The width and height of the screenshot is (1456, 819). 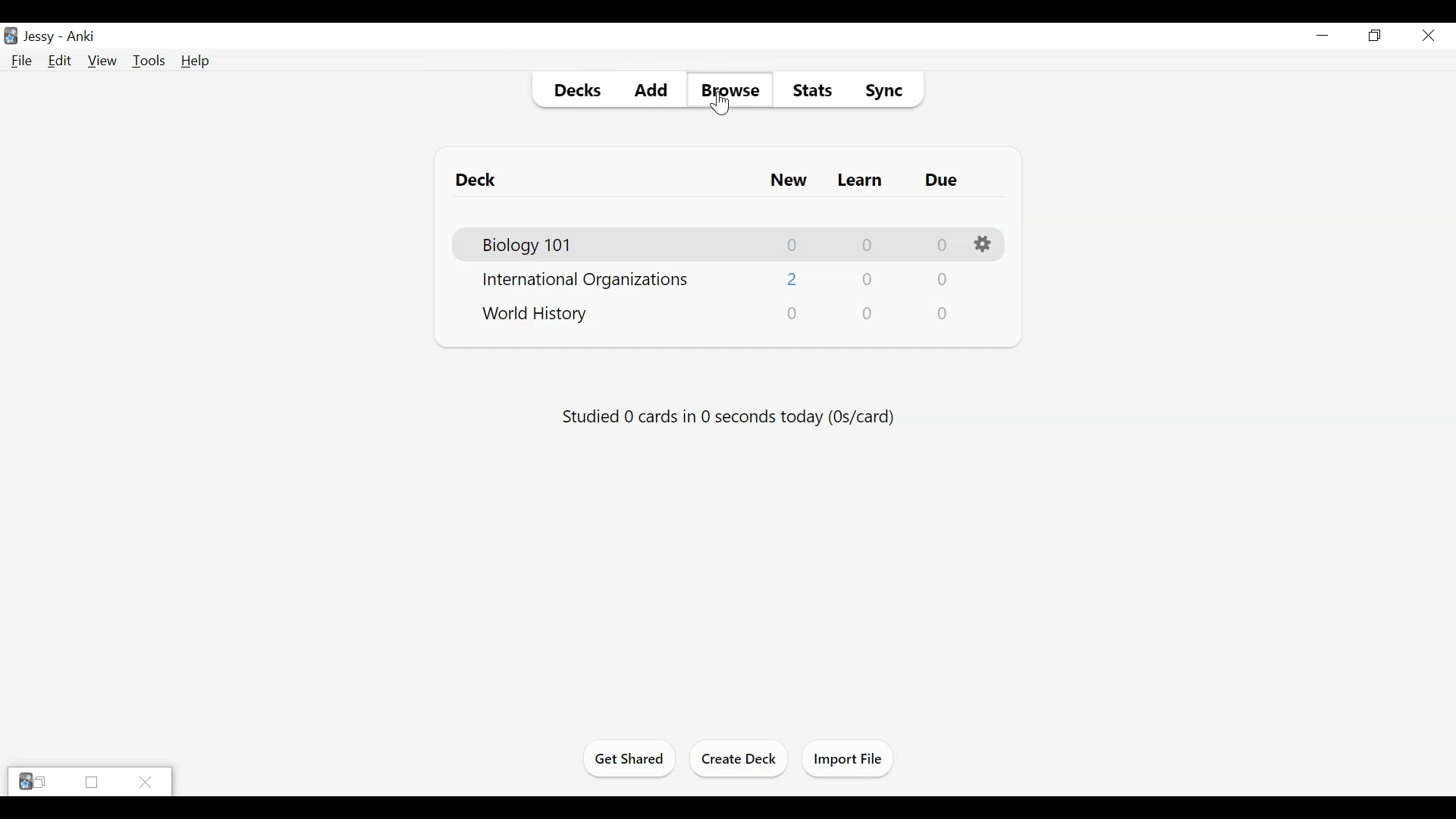 What do you see at coordinates (859, 180) in the screenshot?
I see `Learn Card` at bounding box center [859, 180].